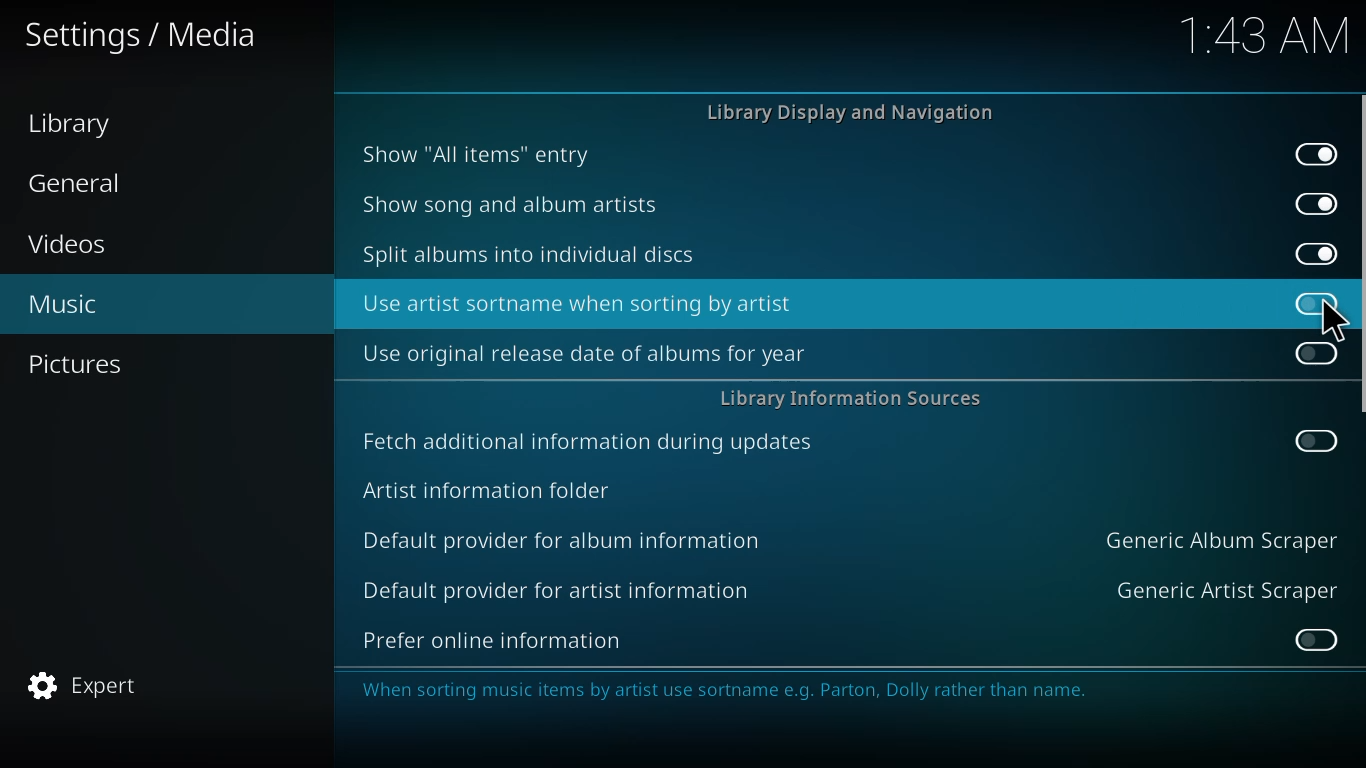  I want to click on expert, so click(82, 685).